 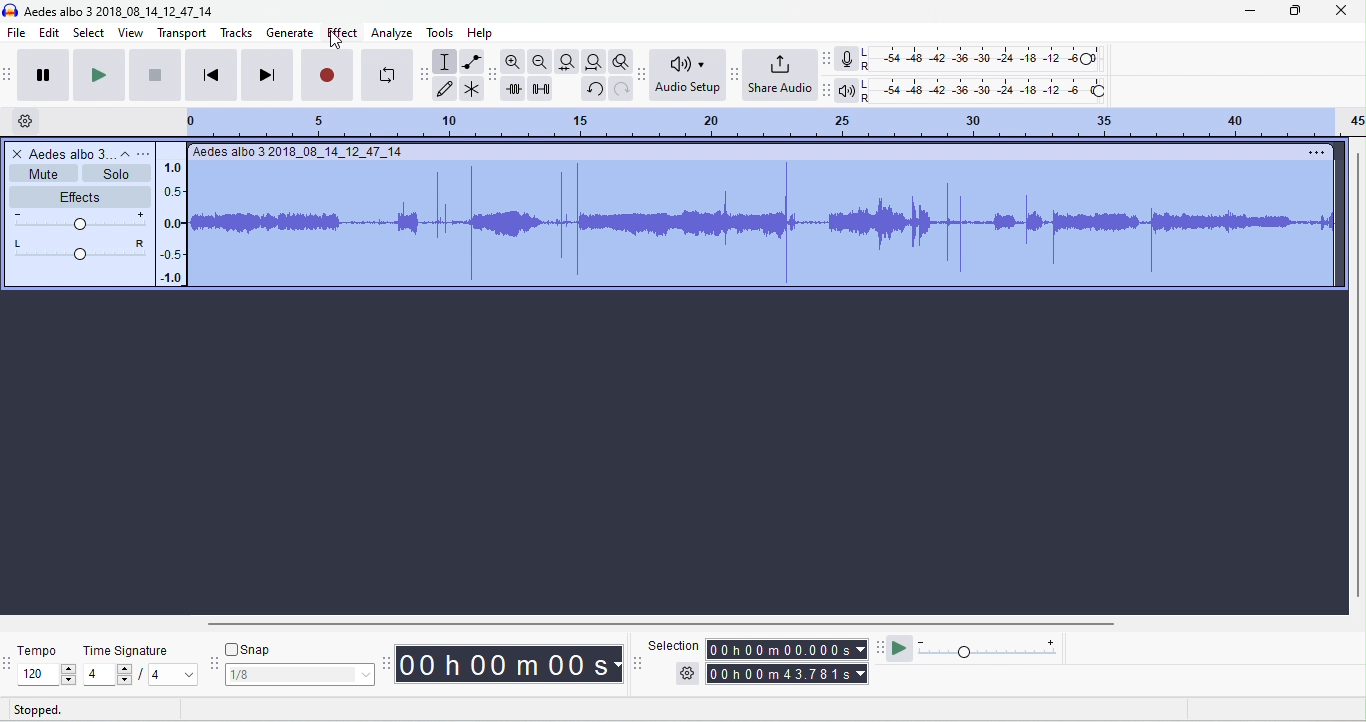 What do you see at coordinates (131, 33) in the screenshot?
I see `view` at bounding box center [131, 33].